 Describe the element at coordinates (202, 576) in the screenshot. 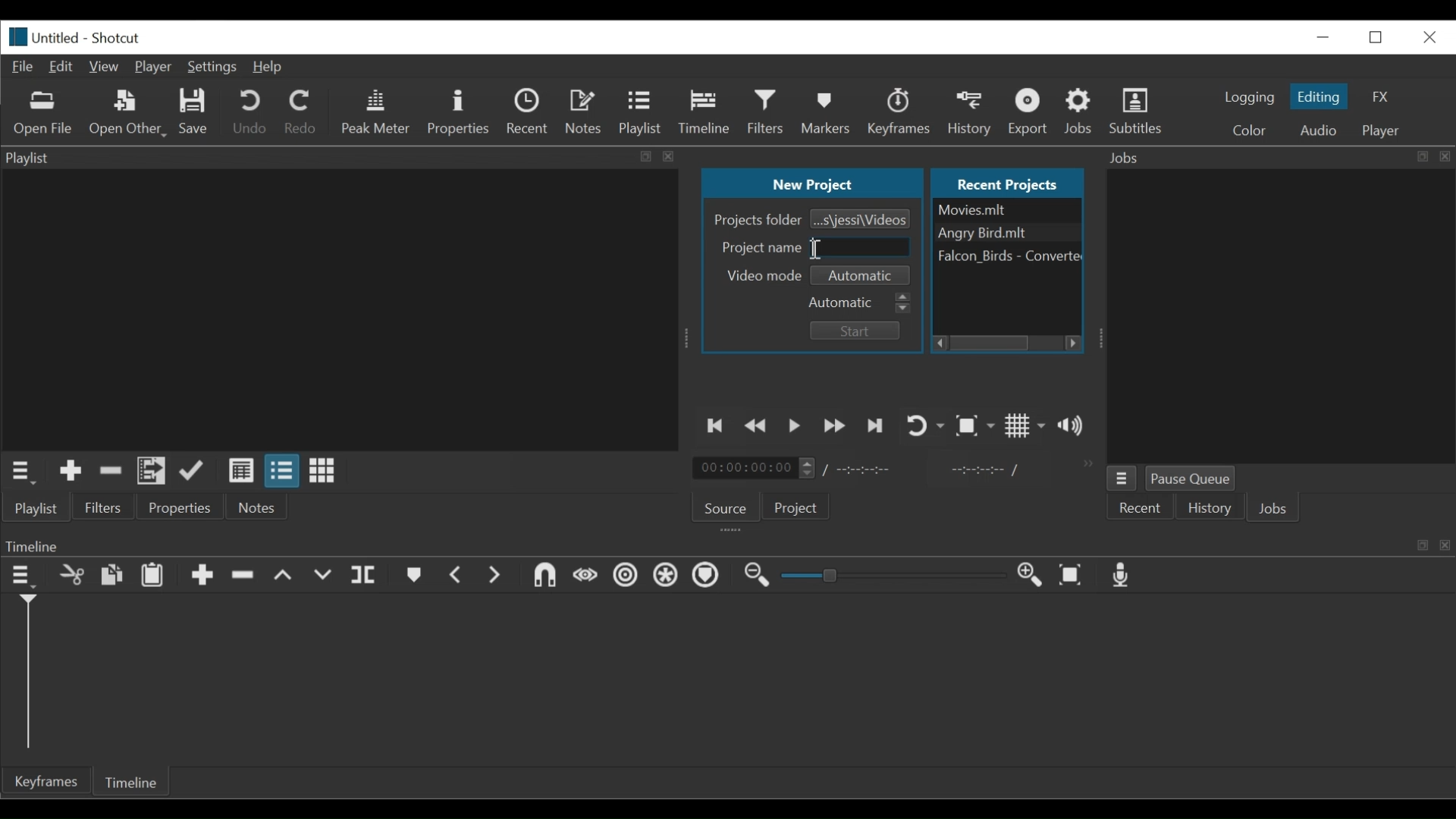

I see `Append` at that location.